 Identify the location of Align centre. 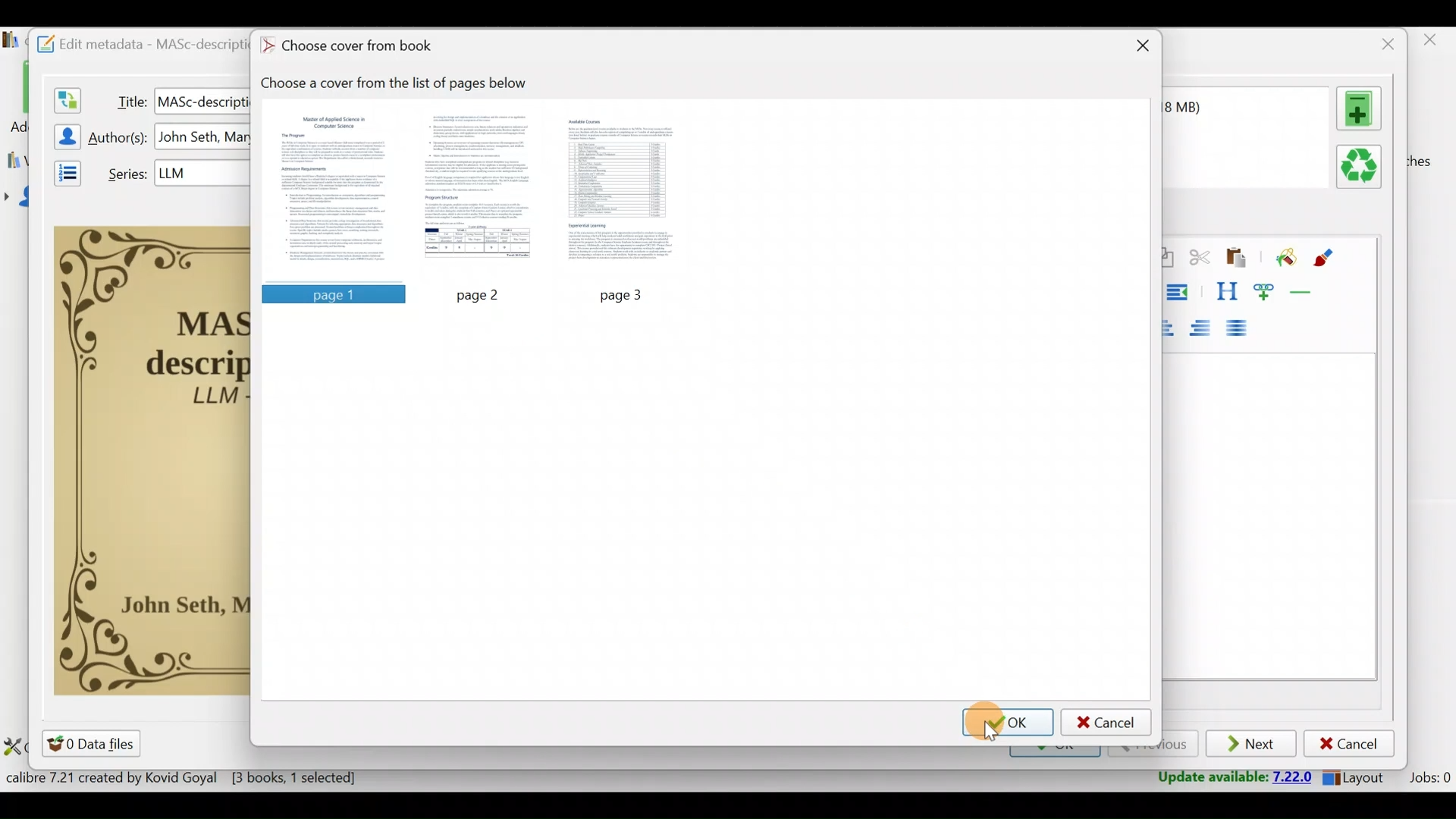
(1175, 325).